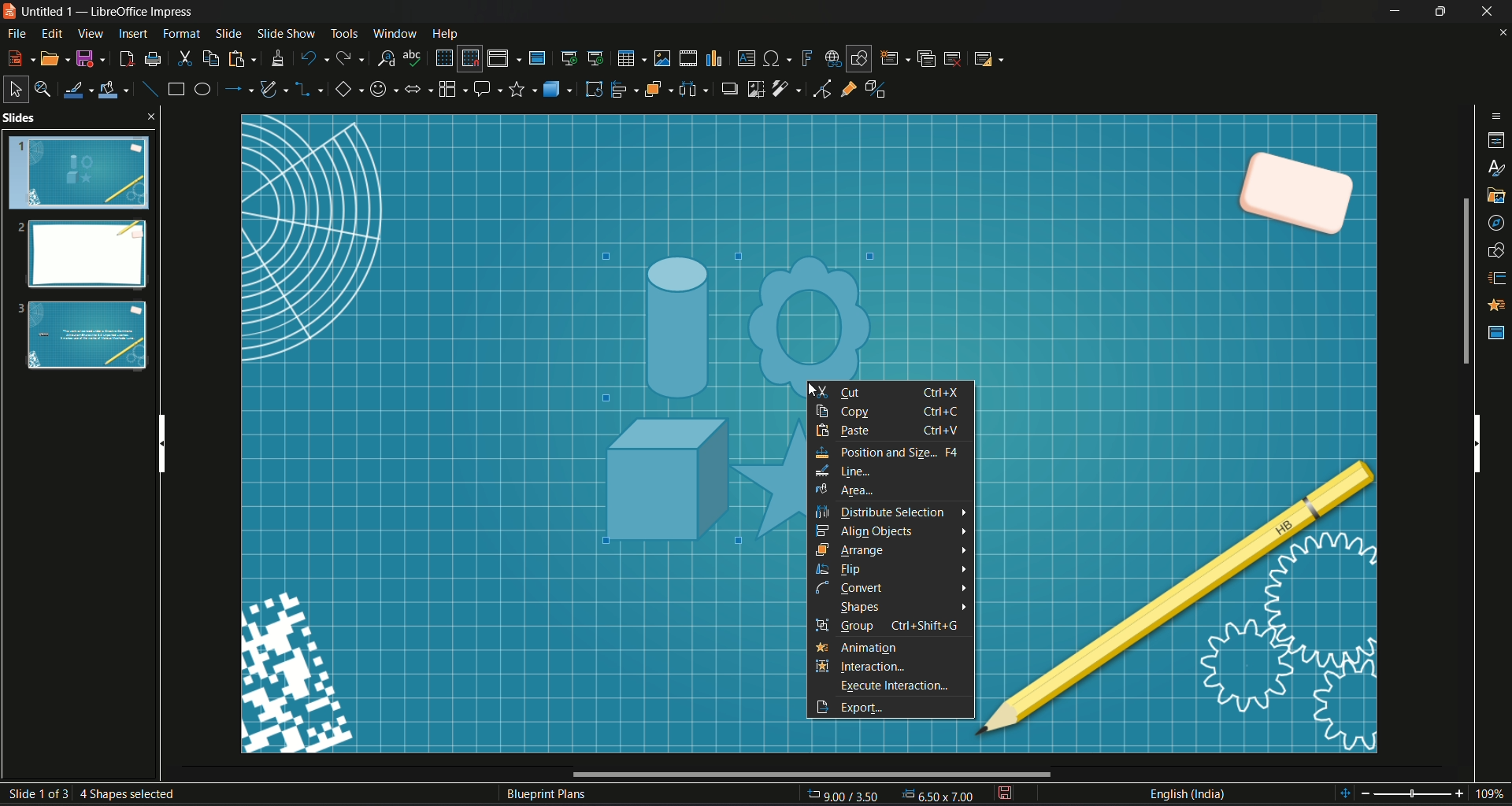  I want to click on rectangle, so click(176, 88).